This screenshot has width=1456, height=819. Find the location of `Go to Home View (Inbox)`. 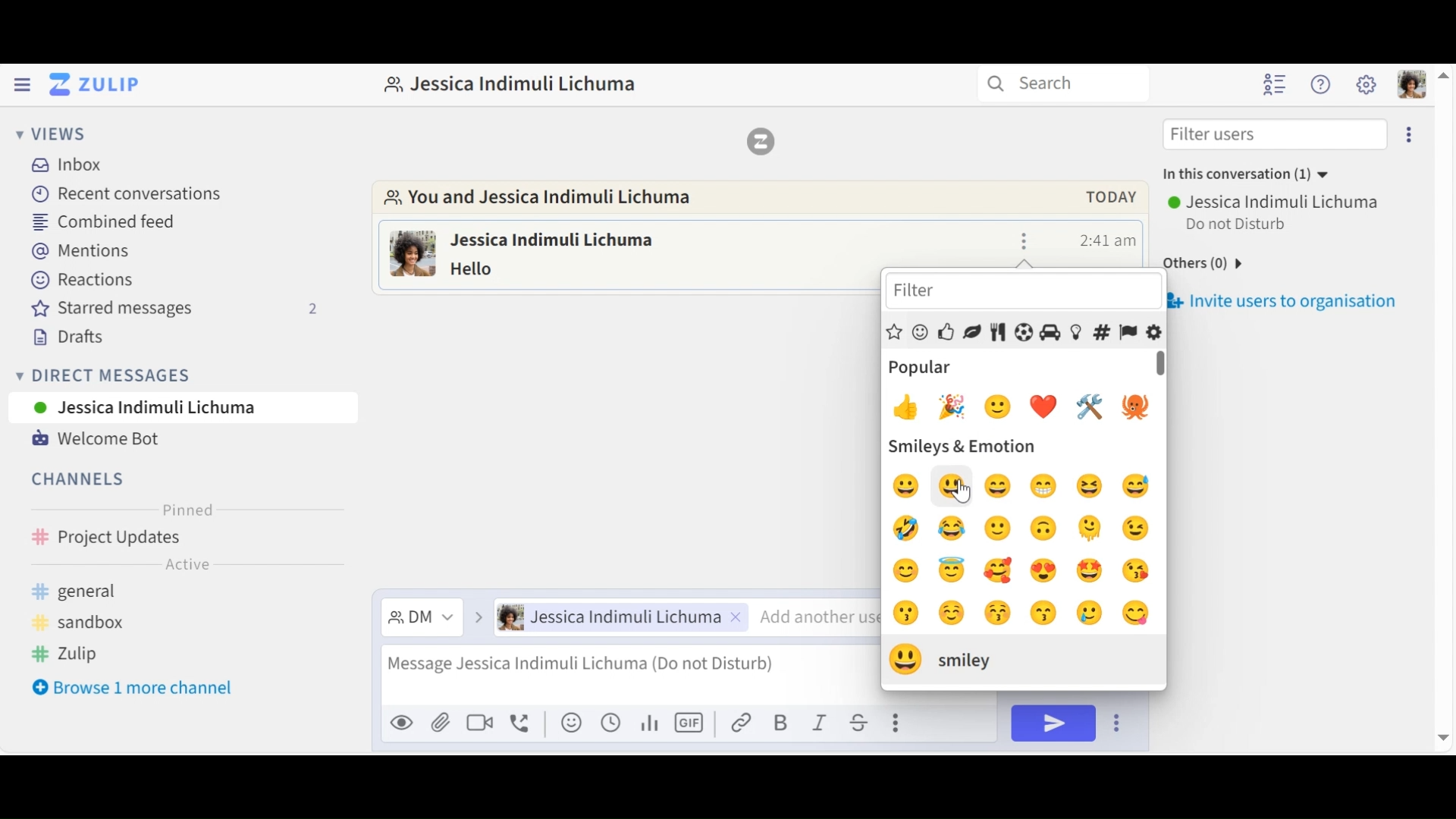

Go to Home View (Inbox) is located at coordinates (93, 85).